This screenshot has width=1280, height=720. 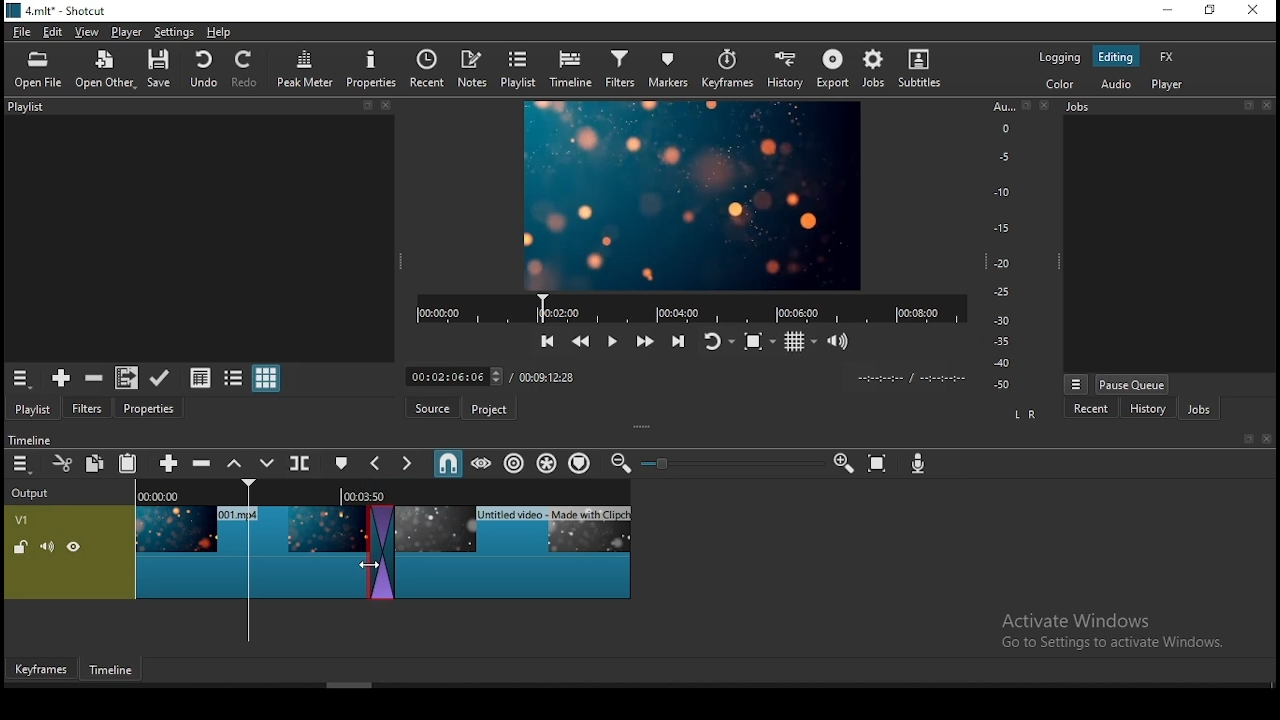 What do you see at coordinates (1025, 412) in the screenshot?
I see `L R` at bounding box center [1025, 412].